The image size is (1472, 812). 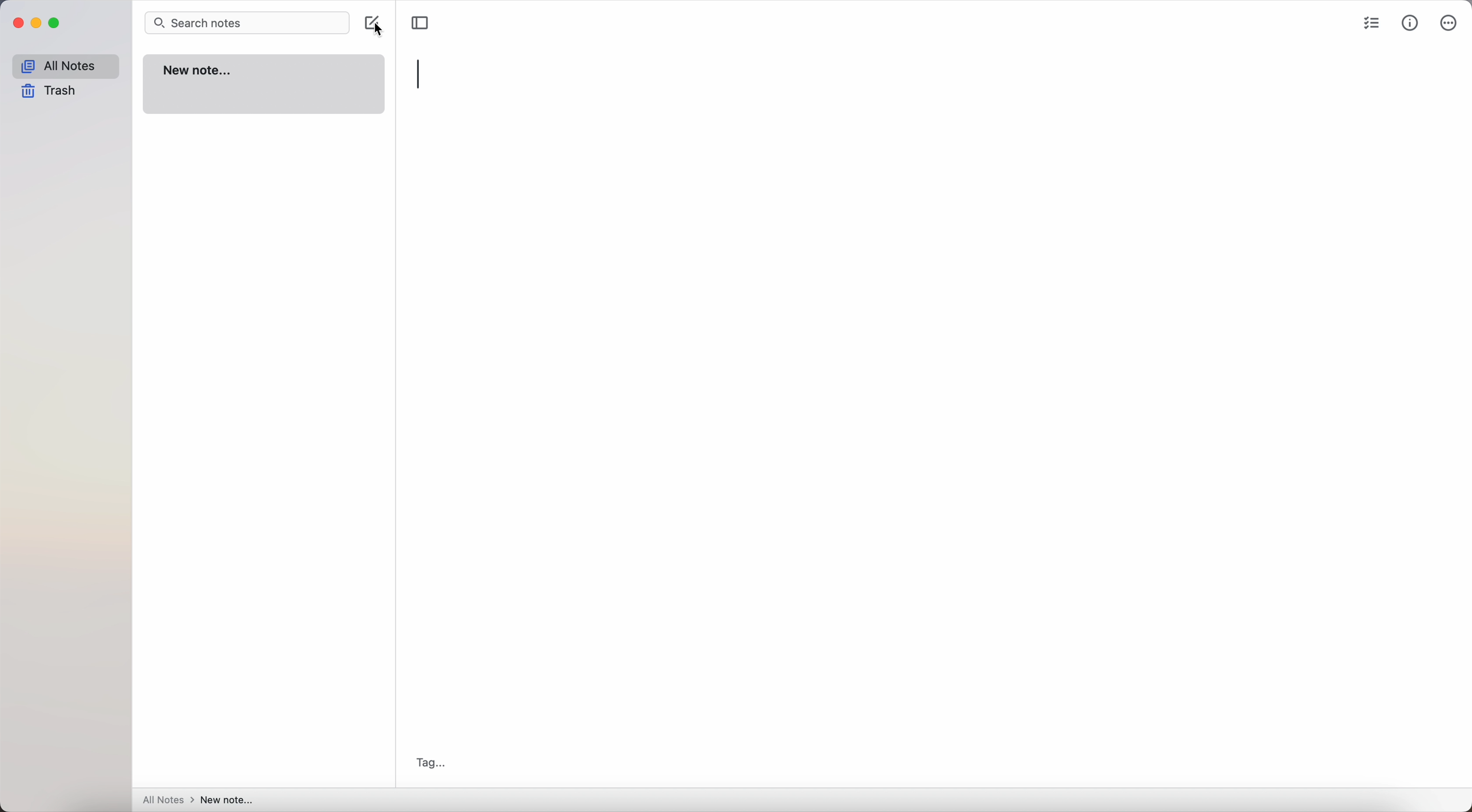 I want to click on trash, so click(x=50, y=92).